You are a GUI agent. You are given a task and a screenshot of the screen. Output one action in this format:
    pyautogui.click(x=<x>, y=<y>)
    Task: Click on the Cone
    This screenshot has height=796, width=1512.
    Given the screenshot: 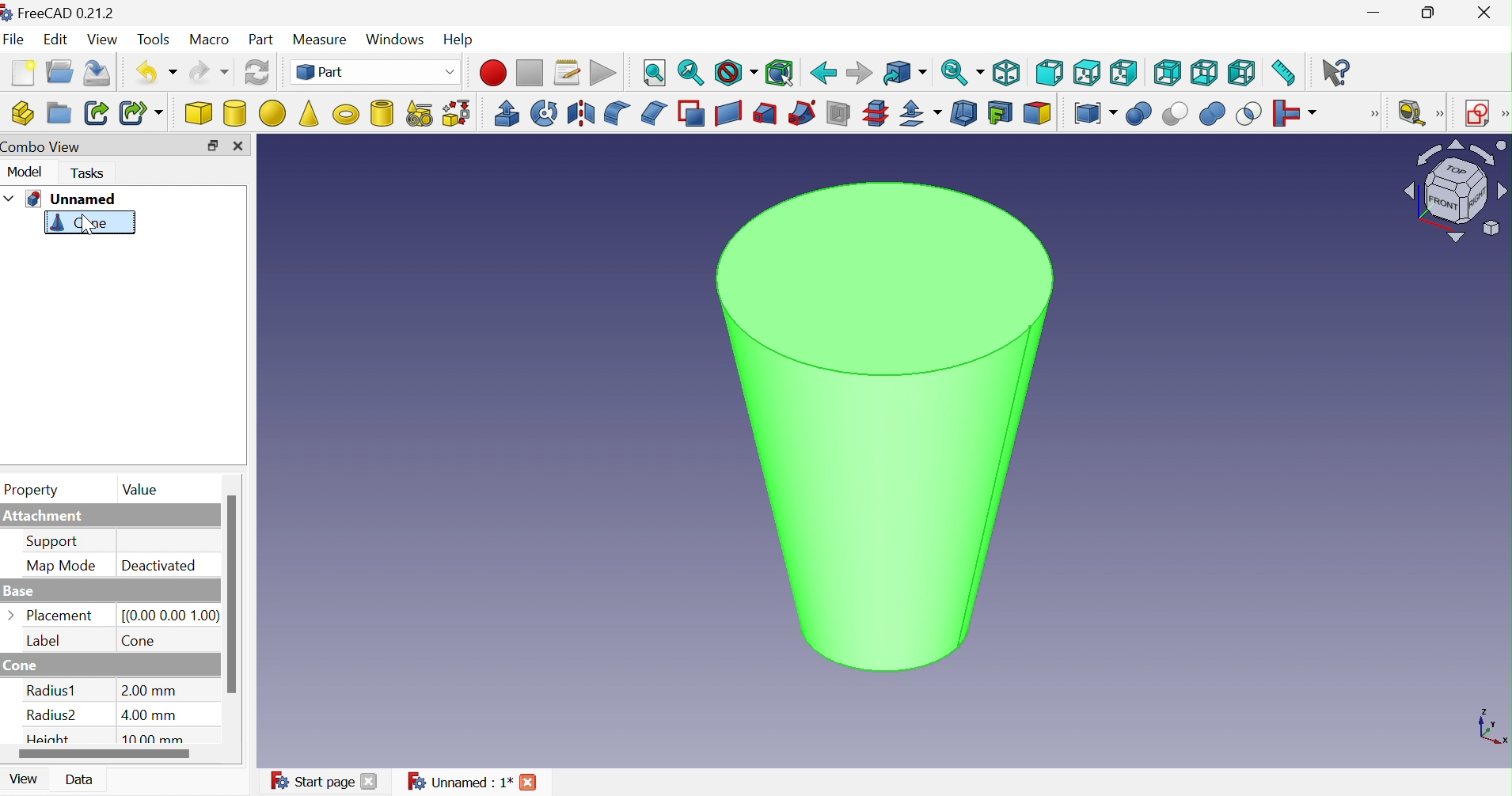 What is the action you would take?
    pyautogui.click(x=140, y=642)
    